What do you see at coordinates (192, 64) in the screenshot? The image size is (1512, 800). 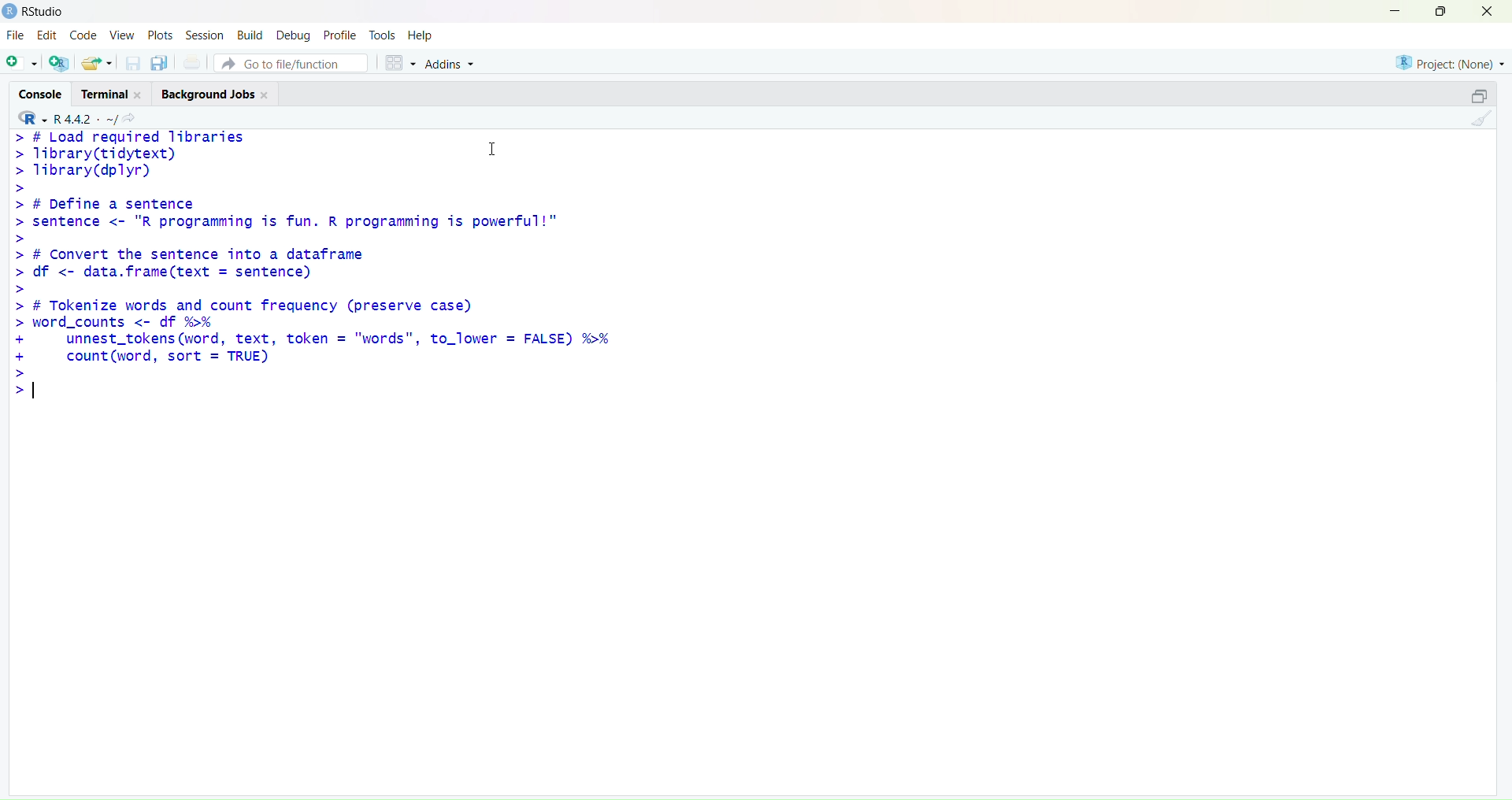 I see `print current file` at bounding box center [192, 64].